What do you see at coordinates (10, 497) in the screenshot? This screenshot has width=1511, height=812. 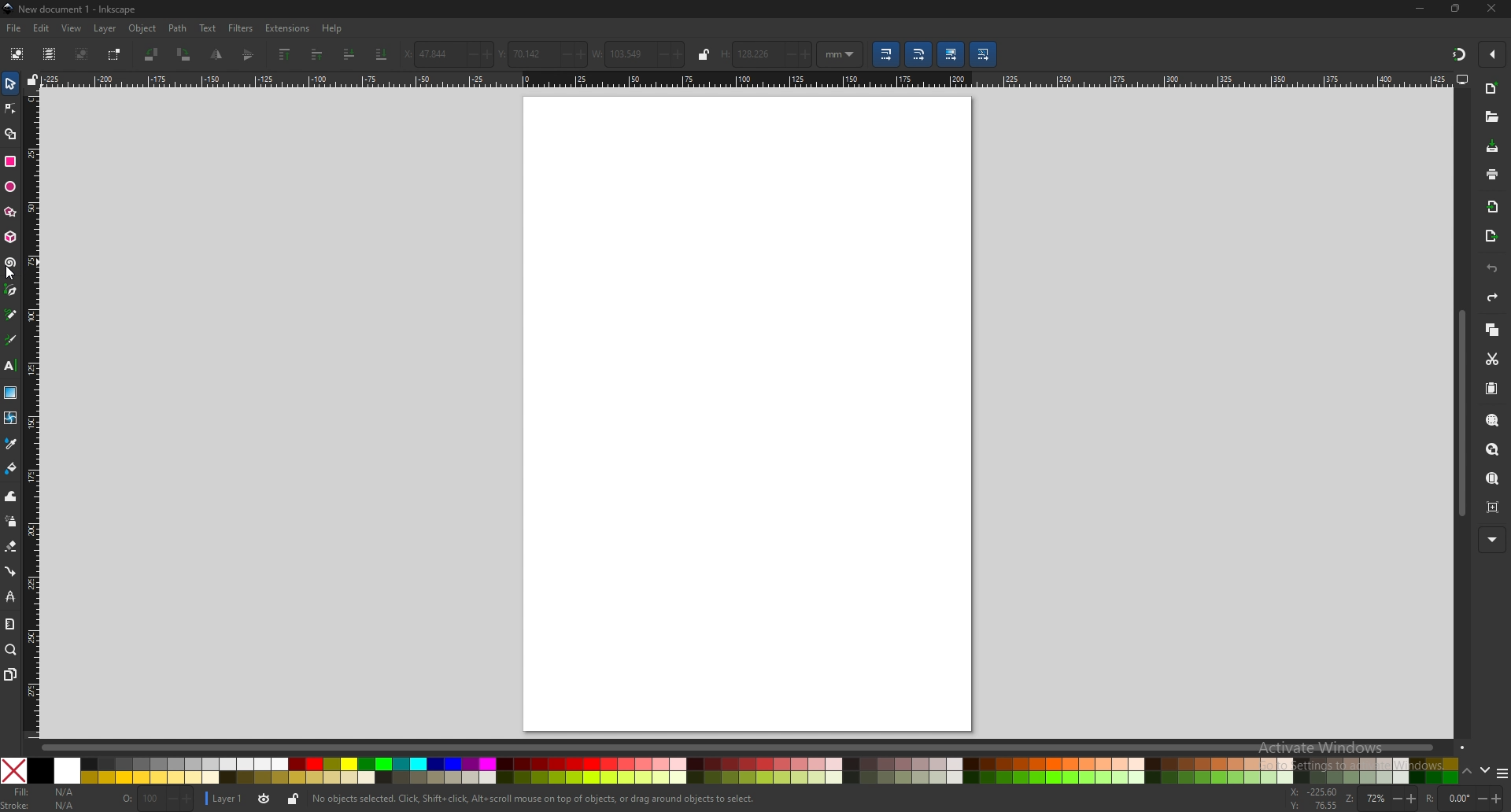 I see `tweak` at bounding box center [10, 497].